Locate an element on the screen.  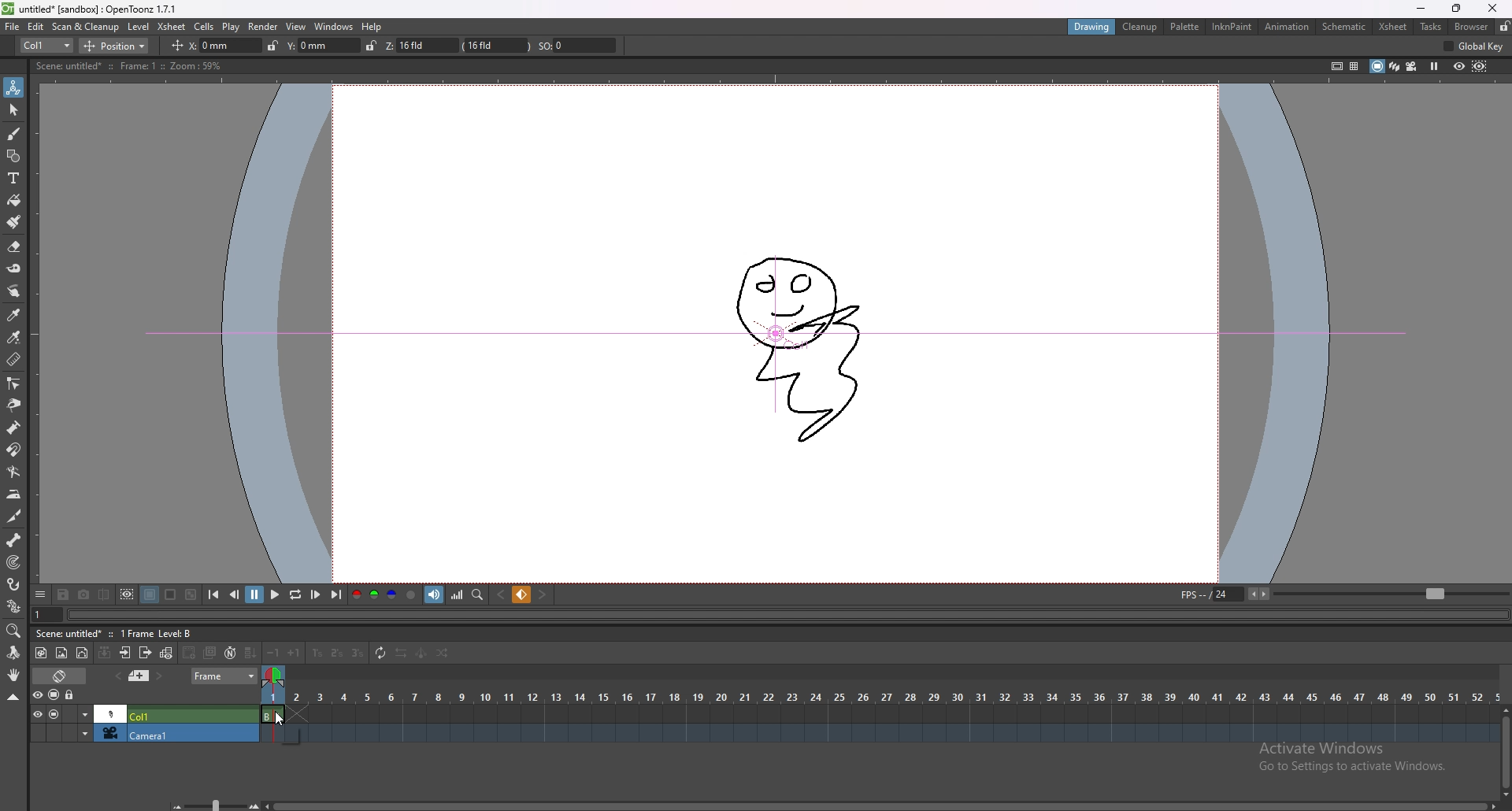
brush is located at coordinates (14, 135).